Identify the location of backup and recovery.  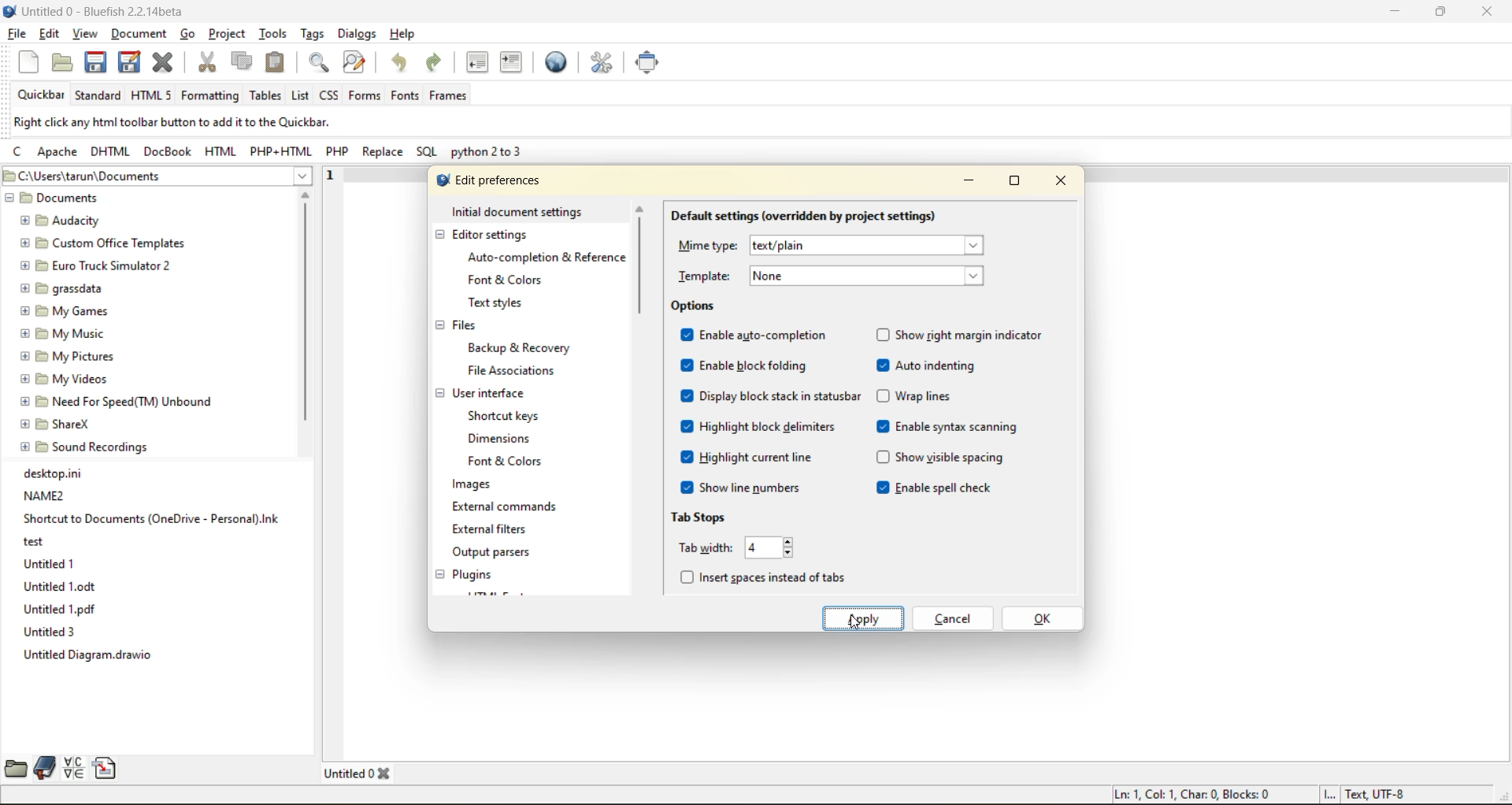
(523, 349).